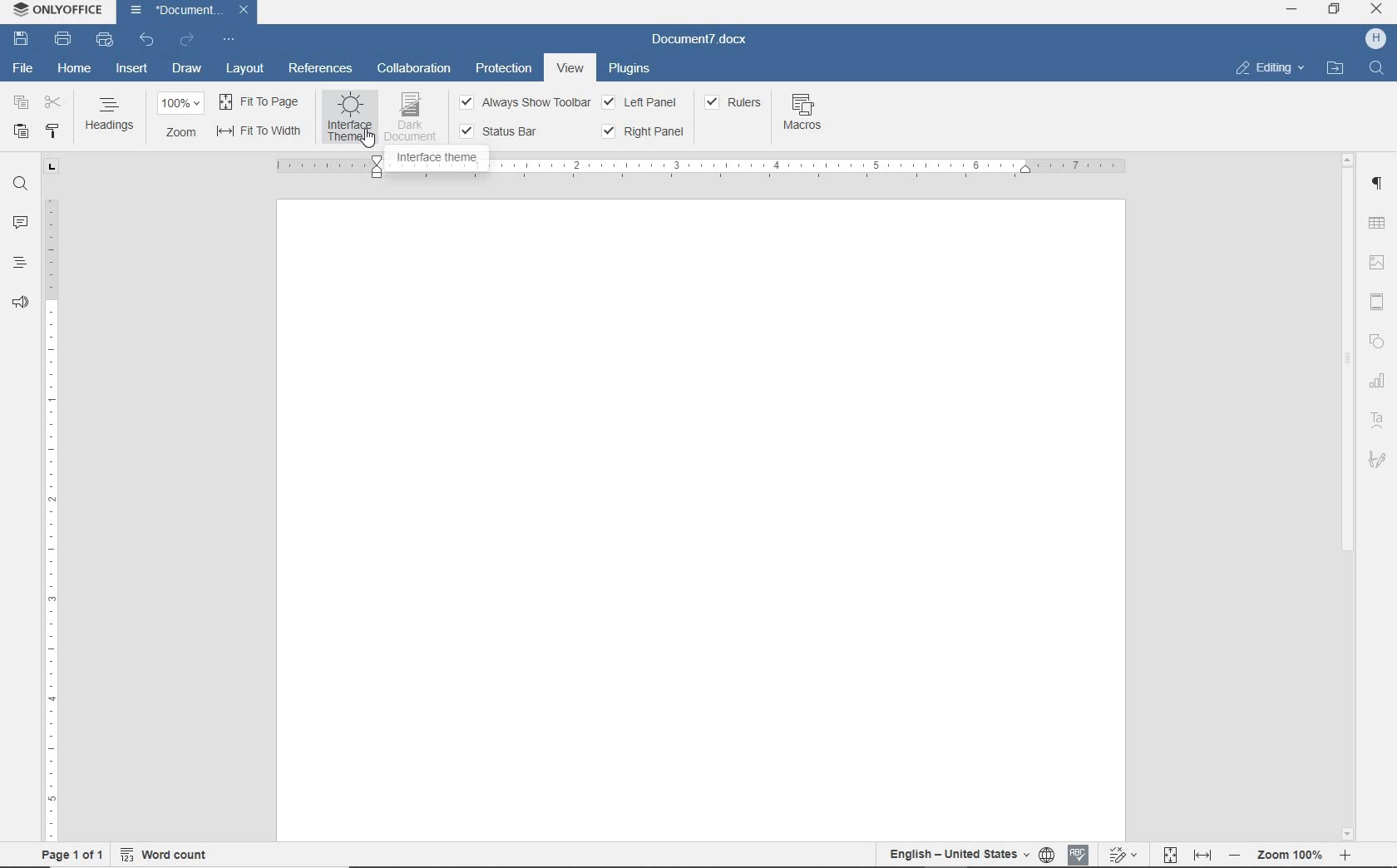 This screenshot has width=1397, height=868. I want to click on OPEN FILE LOCATION, so click(1337, 70).